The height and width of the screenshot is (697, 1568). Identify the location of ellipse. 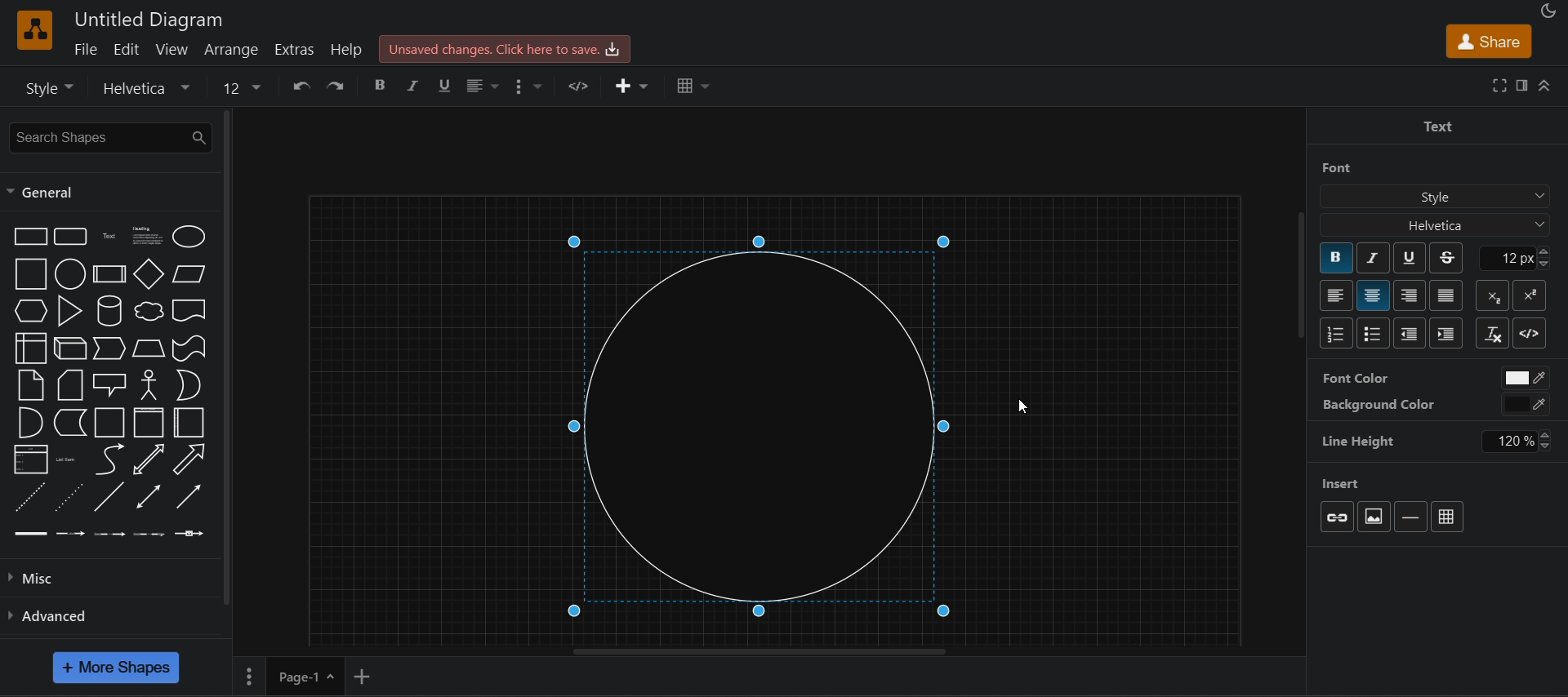
(191, 237).